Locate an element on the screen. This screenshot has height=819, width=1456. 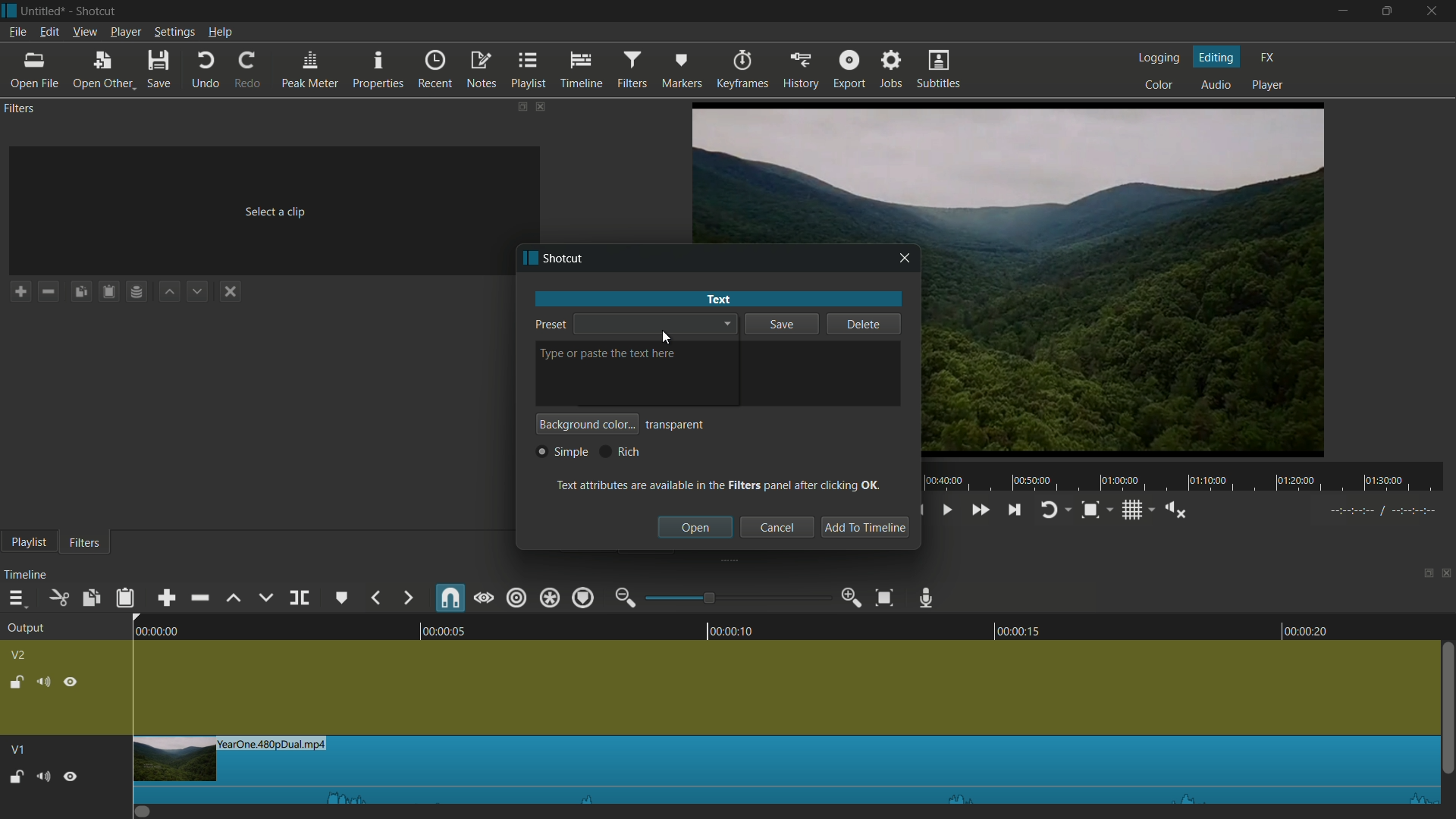
backward is located at coordinates (375, 596).